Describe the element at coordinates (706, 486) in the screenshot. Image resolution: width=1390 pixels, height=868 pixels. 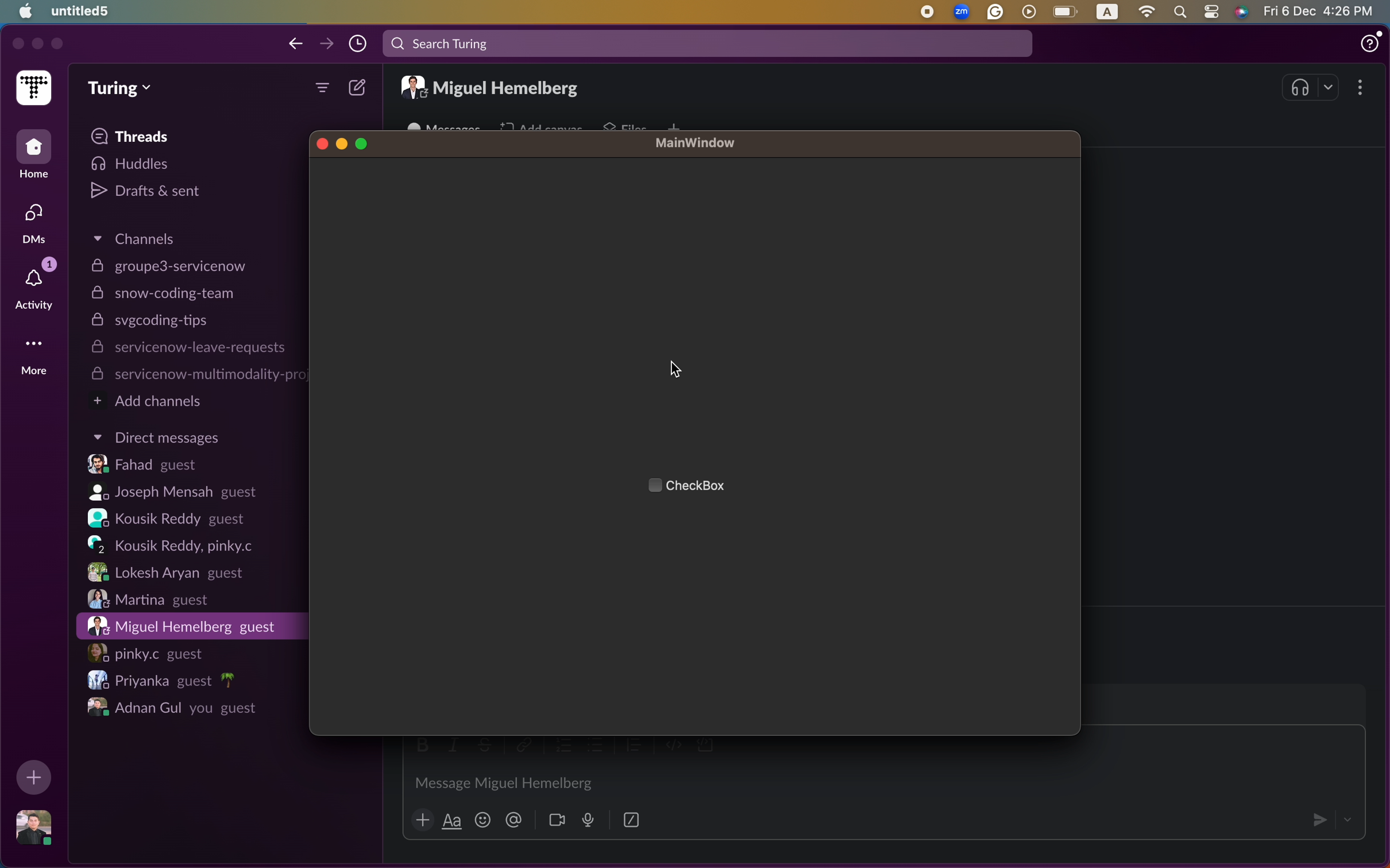
I see `checkbox` at that location.